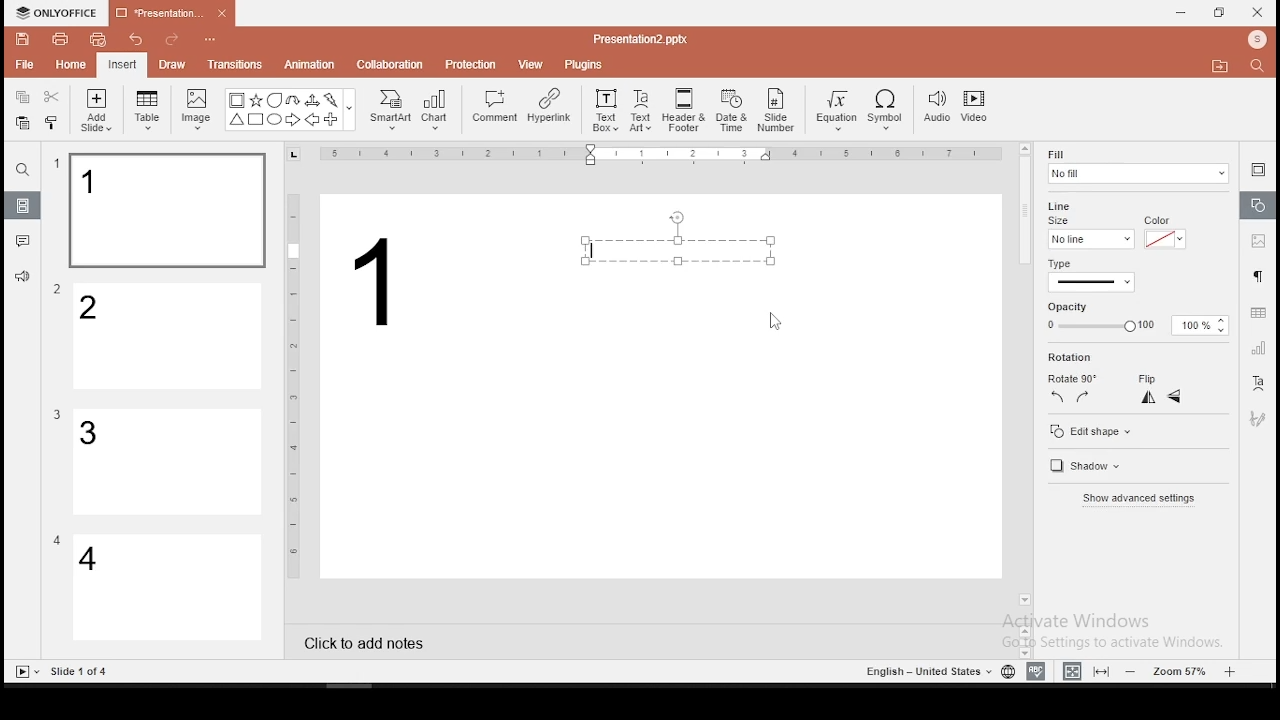 The image size is (1280, 720). I want to click on rotate 90 clockwise, so click(1084, 396).